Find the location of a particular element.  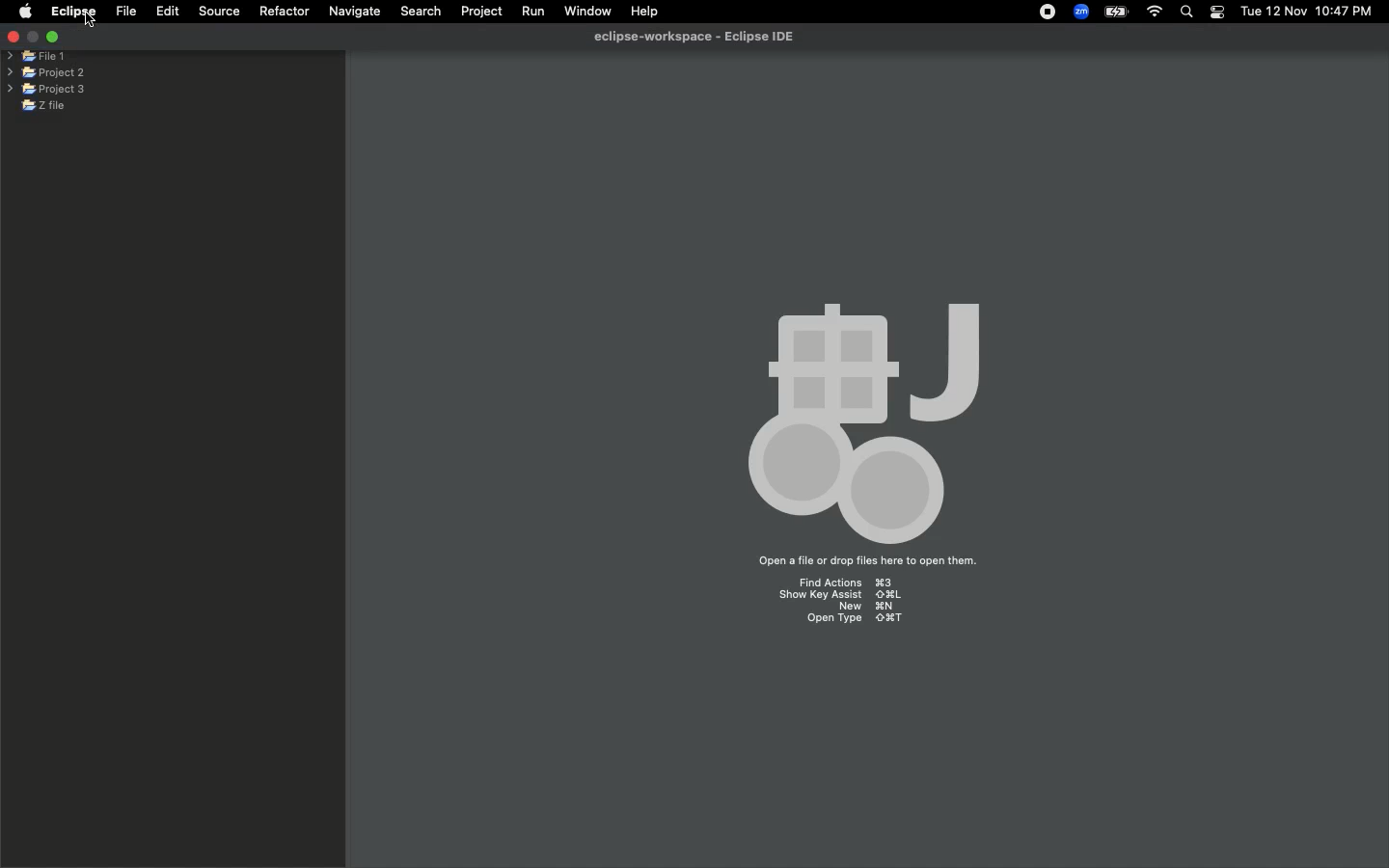

Help is located at coordinates (644, 12).